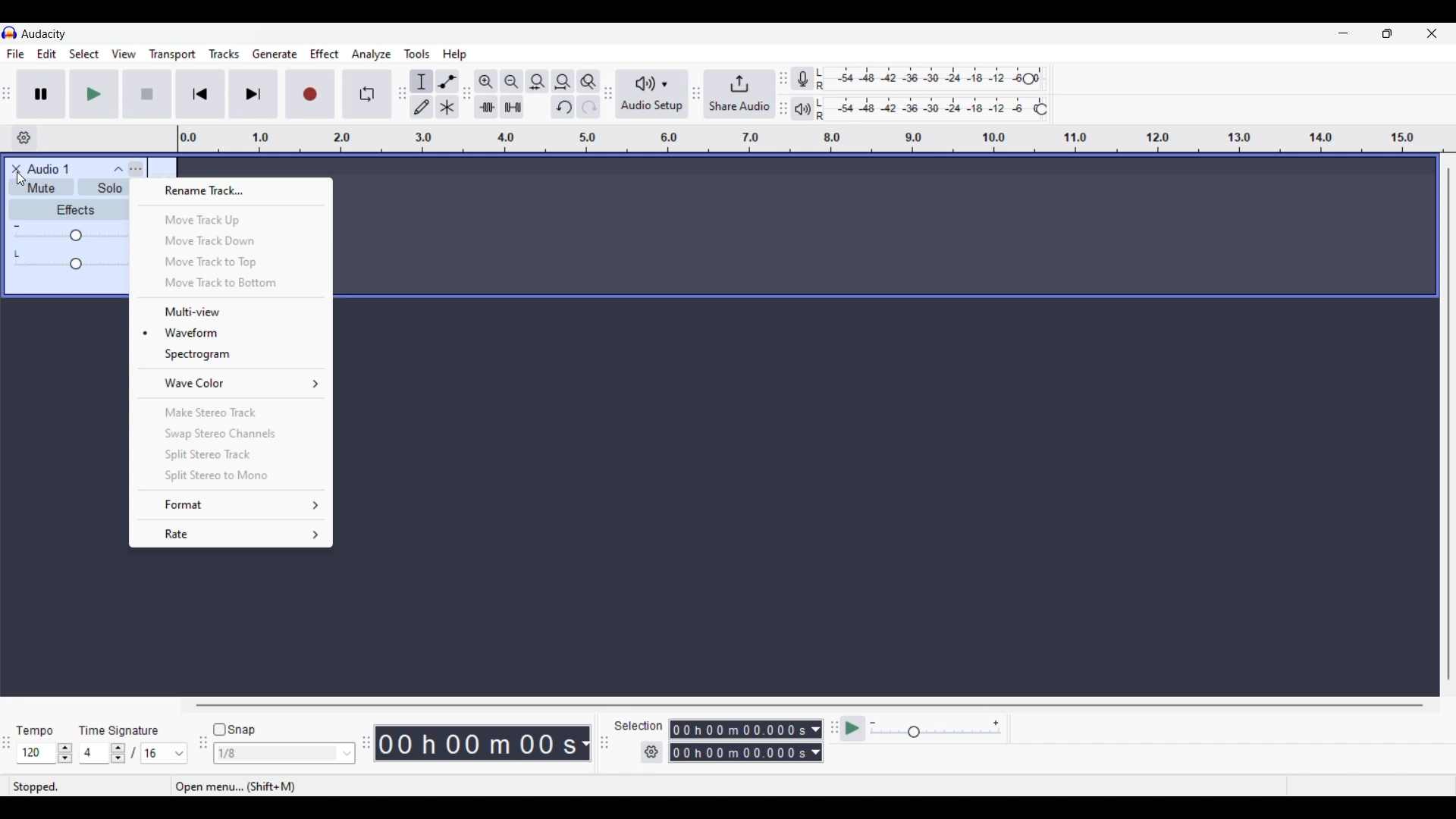  I want to click on Open menu... (Shift+M), so click(243, 788).